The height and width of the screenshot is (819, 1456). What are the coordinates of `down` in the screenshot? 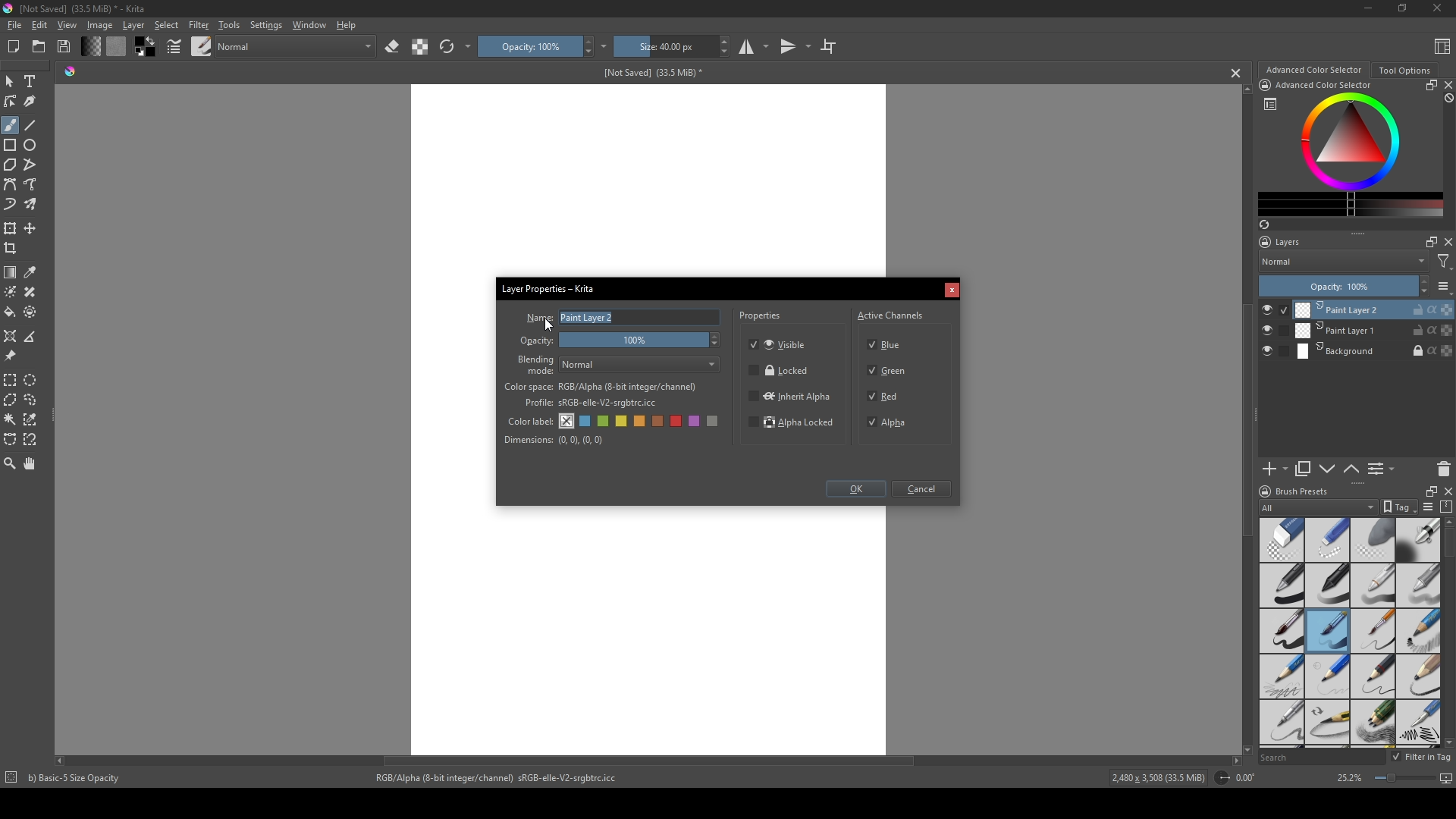 It's located at (1327, 469).